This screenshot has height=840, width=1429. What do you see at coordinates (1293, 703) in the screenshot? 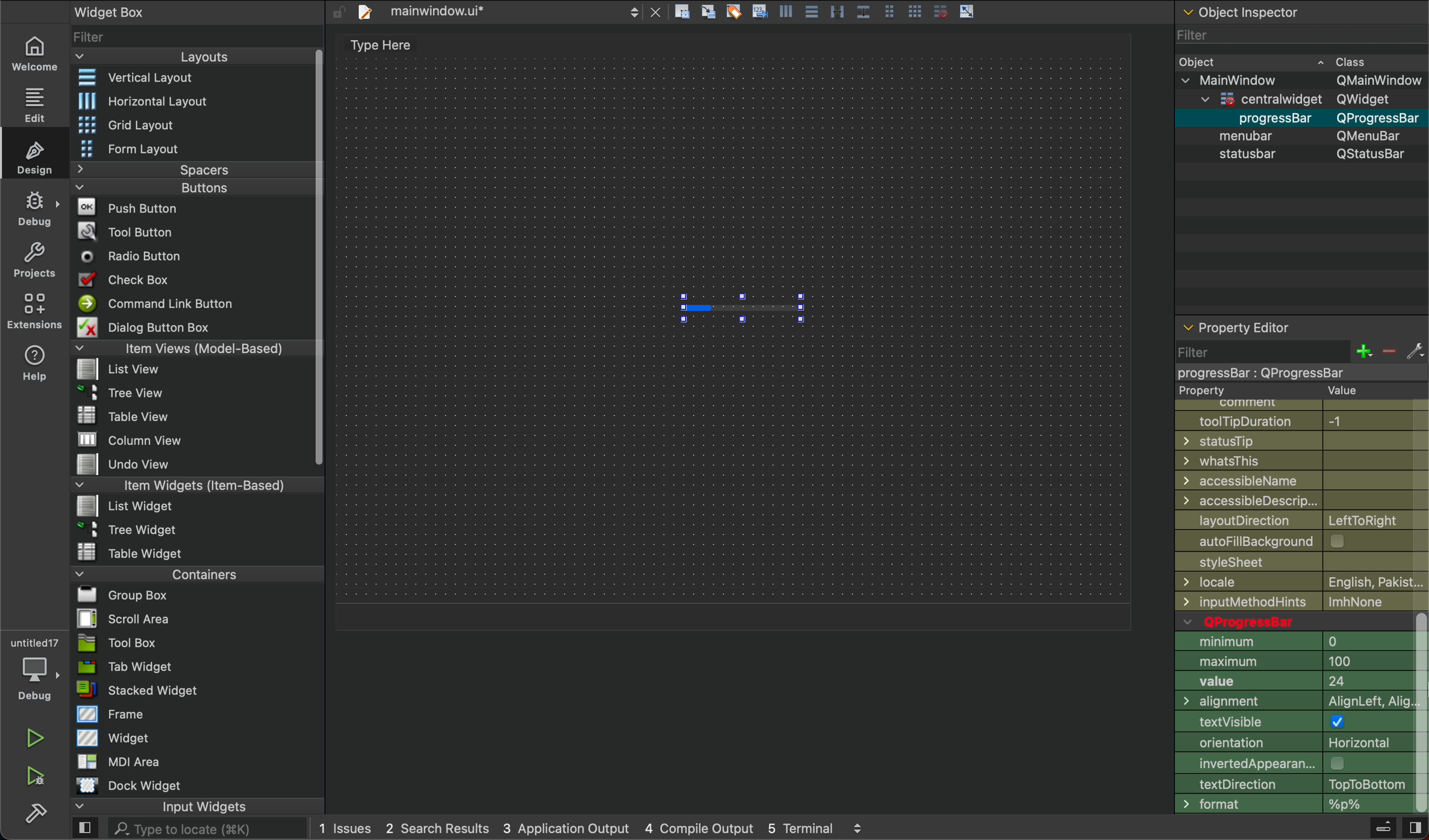
I see `Alignment` at bounding box center [1293, 703].